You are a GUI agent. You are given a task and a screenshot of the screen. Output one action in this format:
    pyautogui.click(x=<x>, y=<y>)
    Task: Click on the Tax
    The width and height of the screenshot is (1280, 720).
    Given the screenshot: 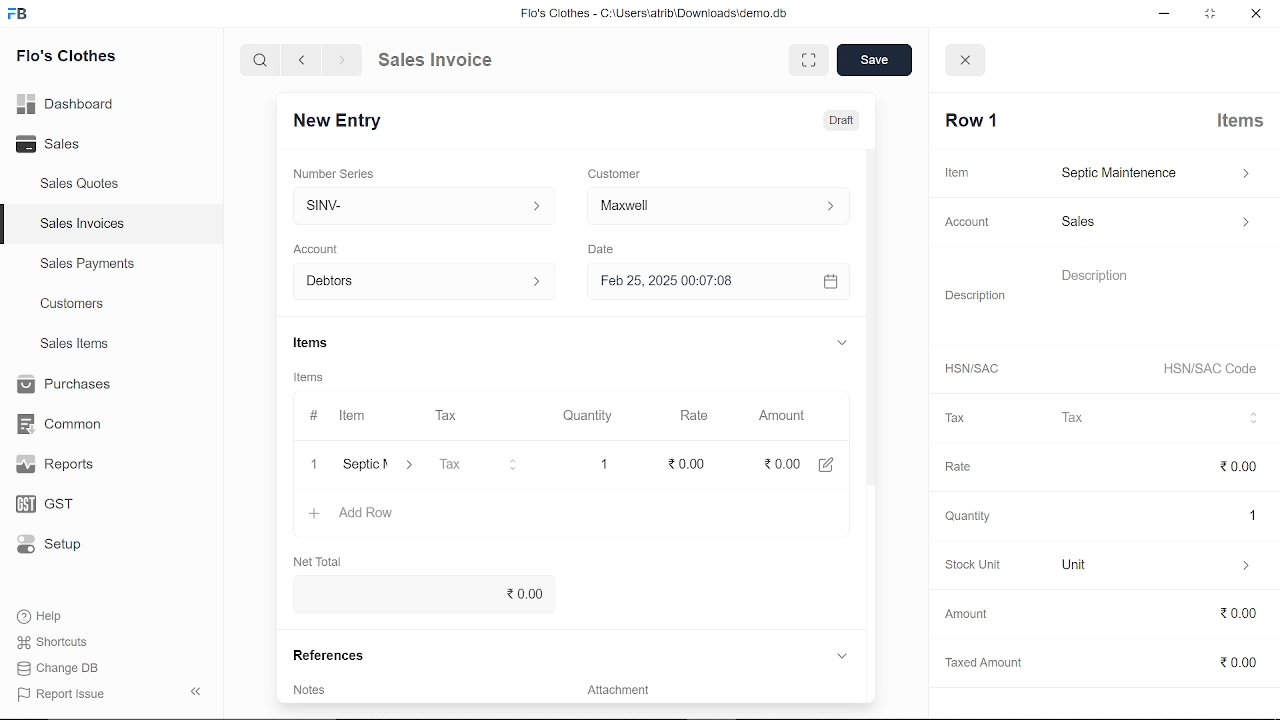 What is the action you would take?
    pyautogui.click(x=954, y=419)
    